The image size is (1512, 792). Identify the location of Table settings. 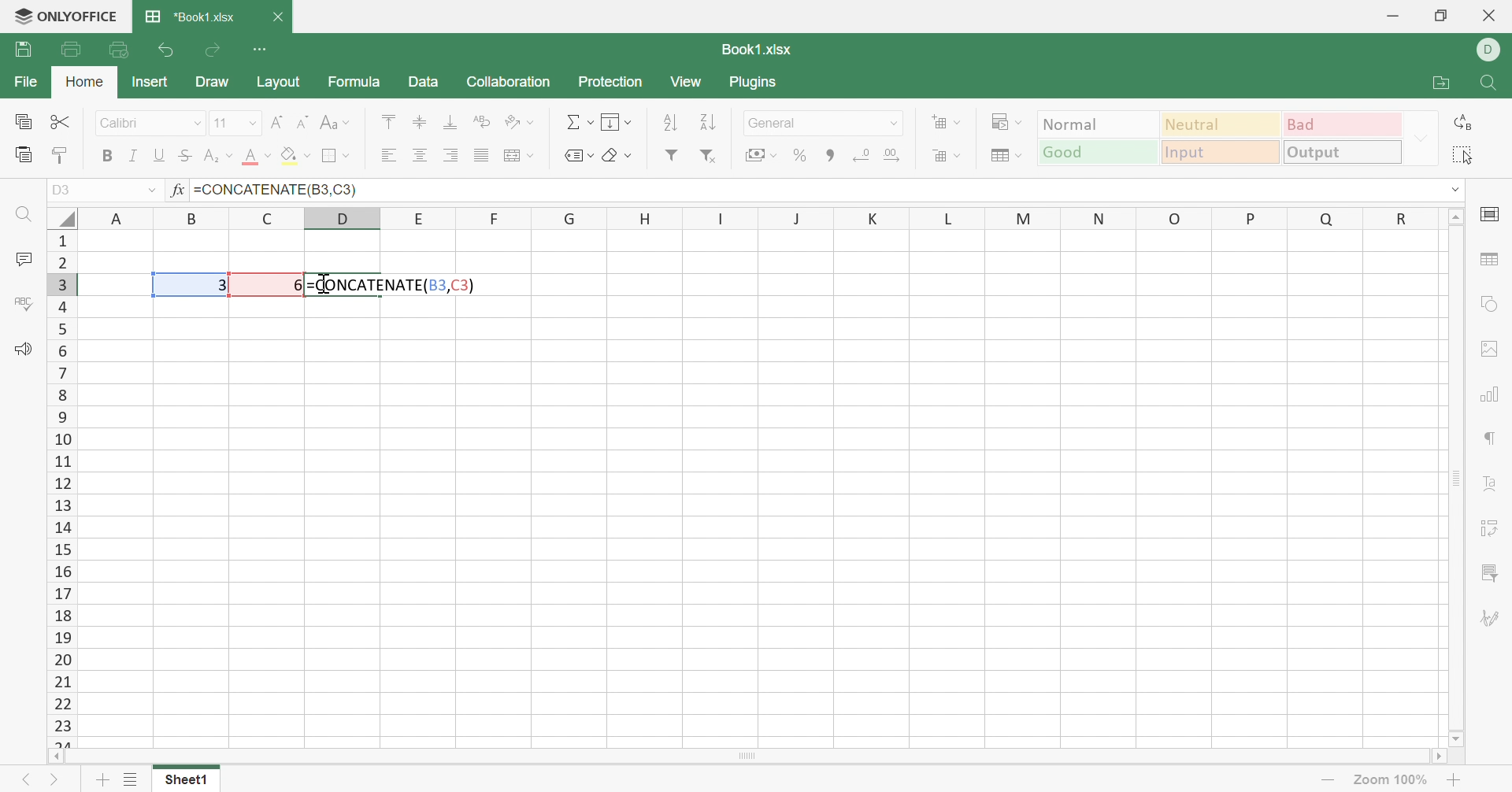
(1488, 258).